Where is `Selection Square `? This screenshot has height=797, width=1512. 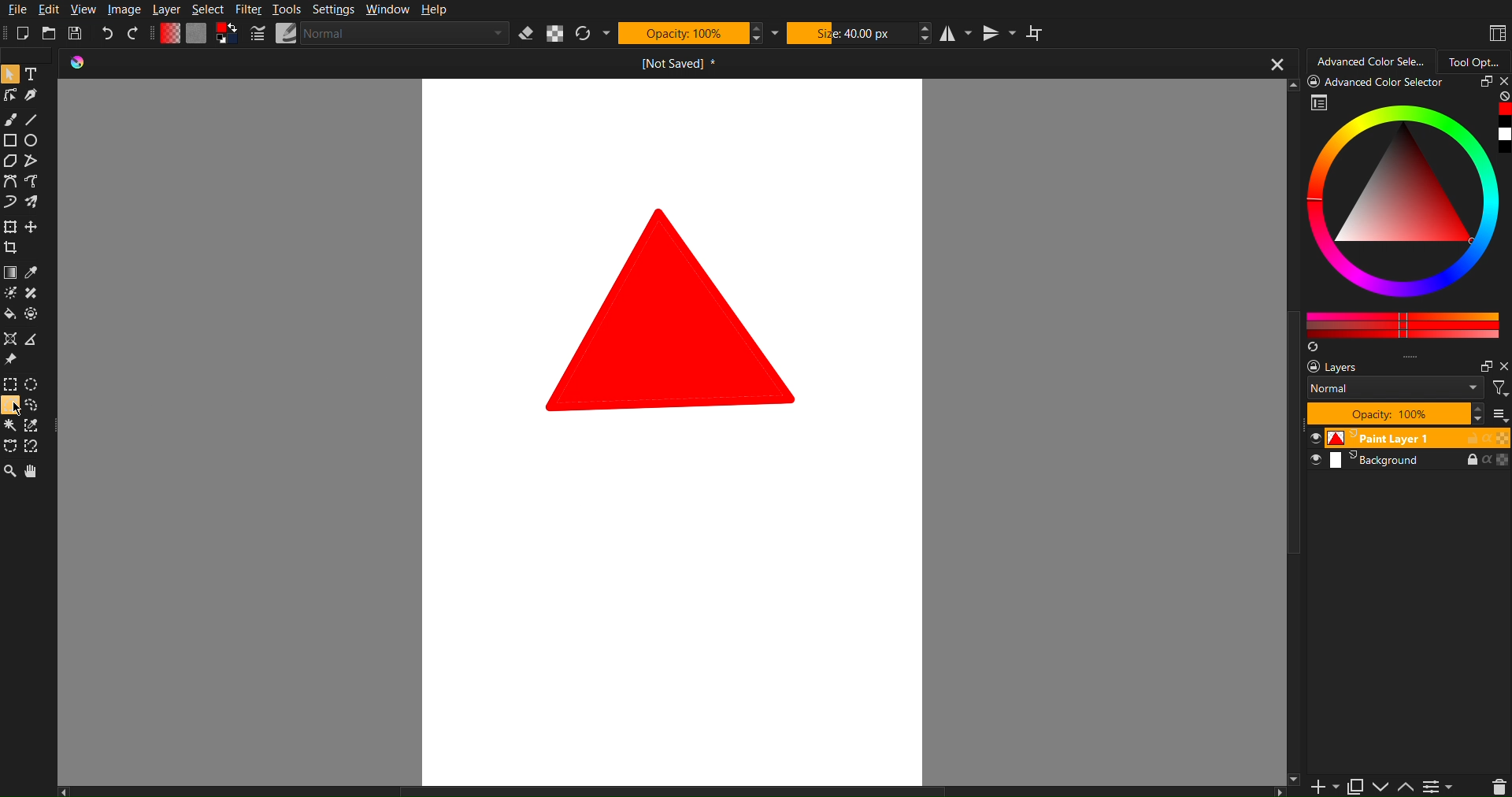 Selection Square  is located at coordinates (34, 383).